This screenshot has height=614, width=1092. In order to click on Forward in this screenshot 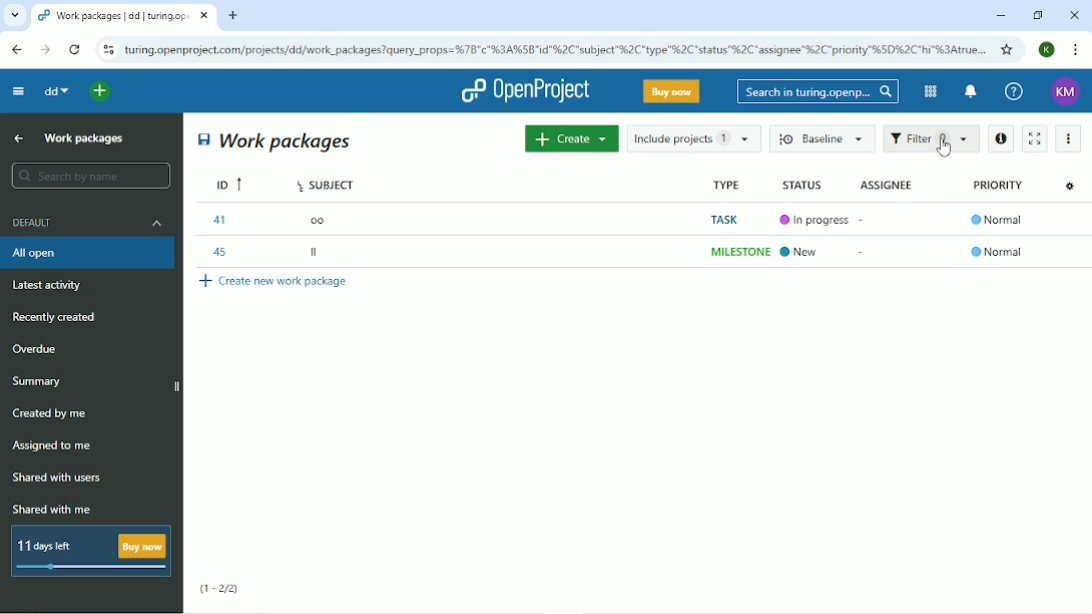, I will do `click(43, 50)`.